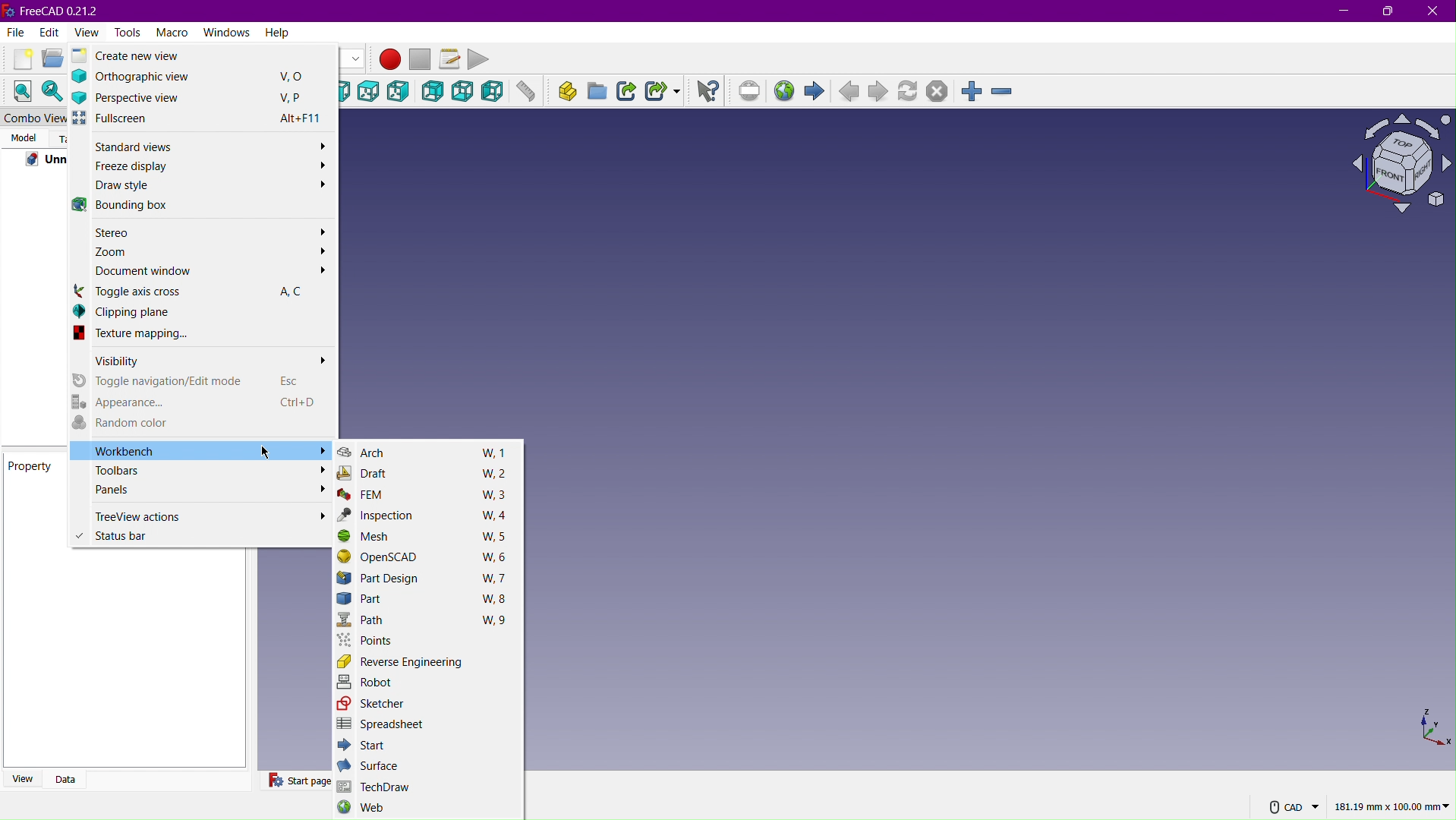  I want to click on Start, so click(367, 746).